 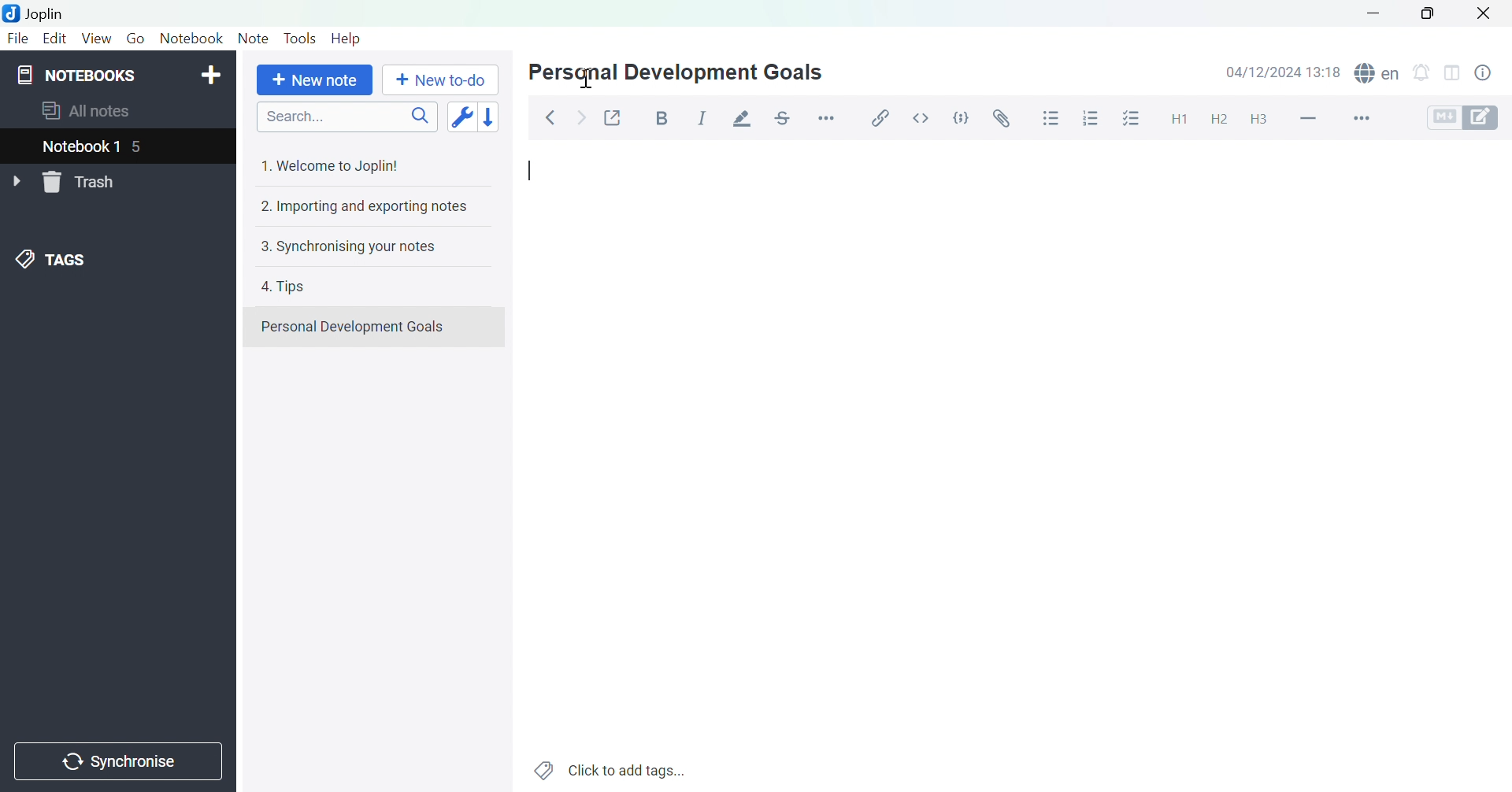 What do you see at coordinates (1367, 118) in the screenshot?
I see `More` at bounding box center [1367, 118].